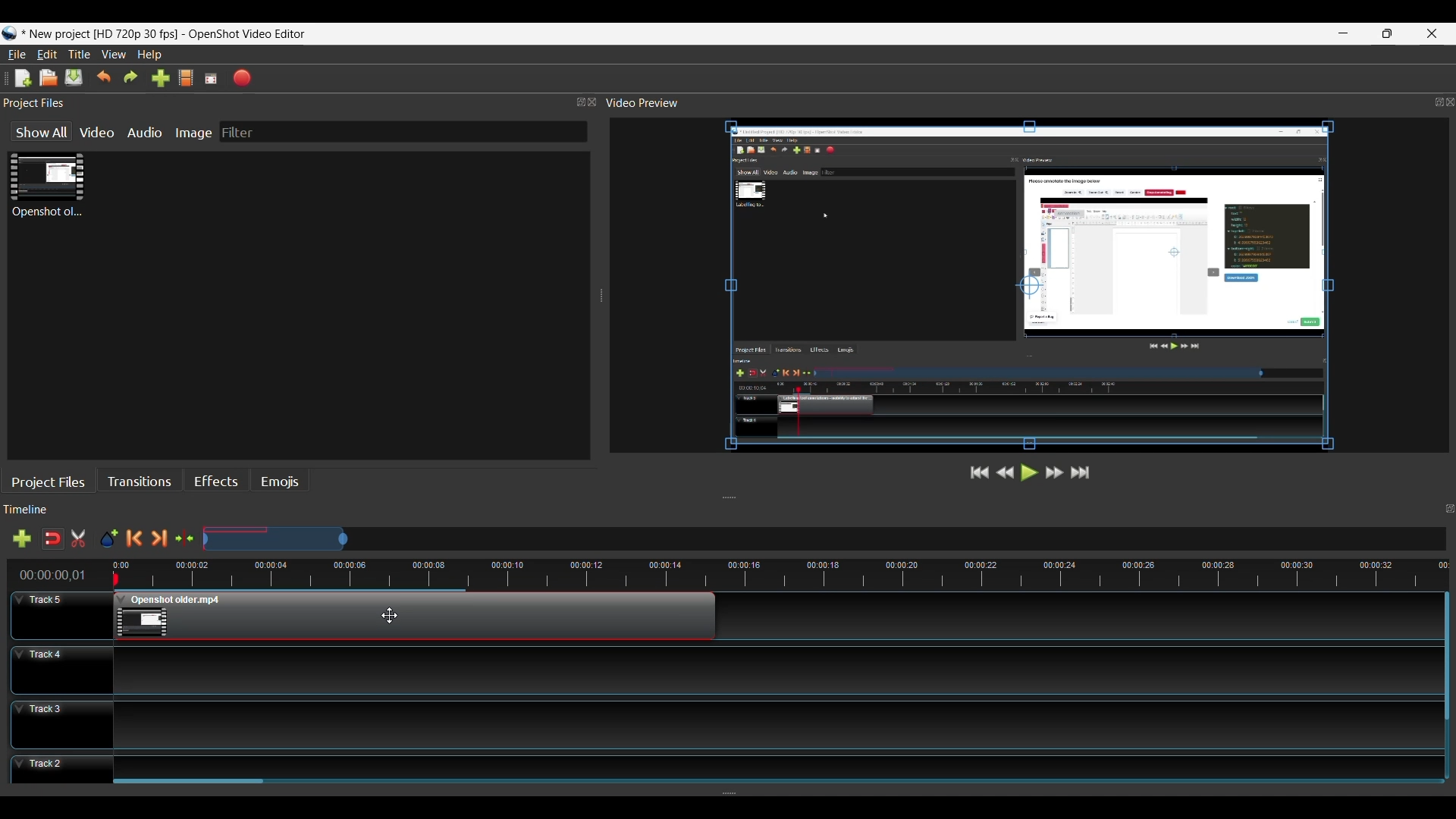  What do you see at coordinates (193, 133) in the screenshot?
I see `Image` at bounding box center [193, 133].